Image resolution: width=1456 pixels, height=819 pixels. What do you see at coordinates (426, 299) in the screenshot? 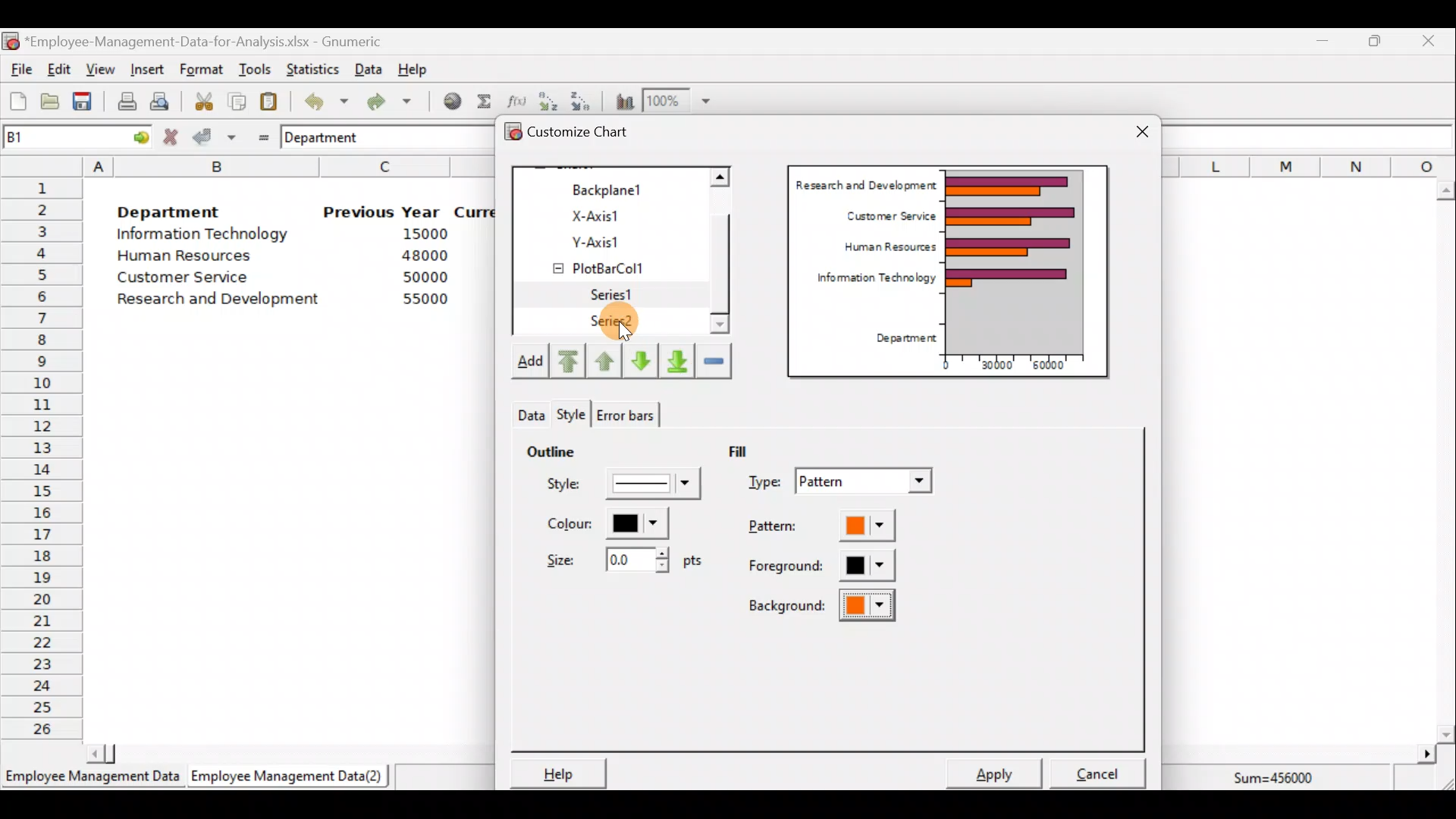
I see `55000` at bounding box center [426, 299].